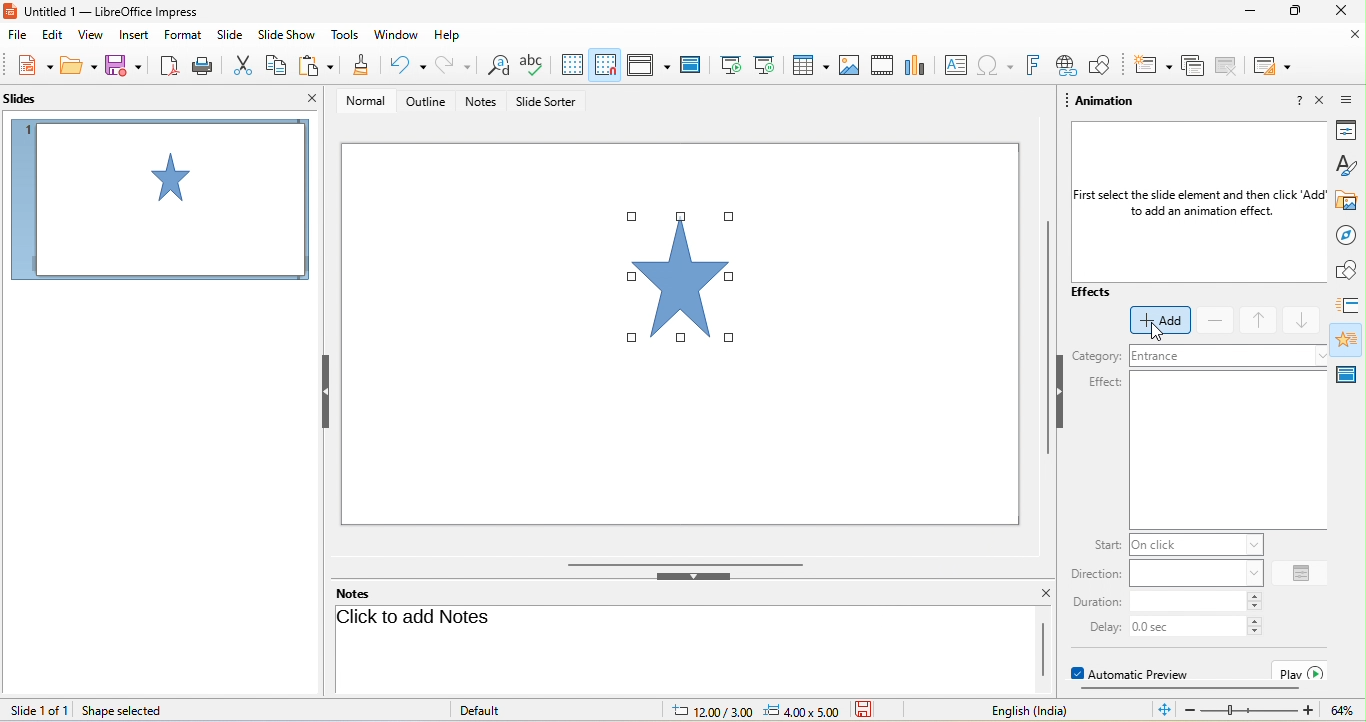 This screenshot has height=722, width=1366. Describe the element at coordinates (1305, 320) in the screenshot. I see `move down` at that location.